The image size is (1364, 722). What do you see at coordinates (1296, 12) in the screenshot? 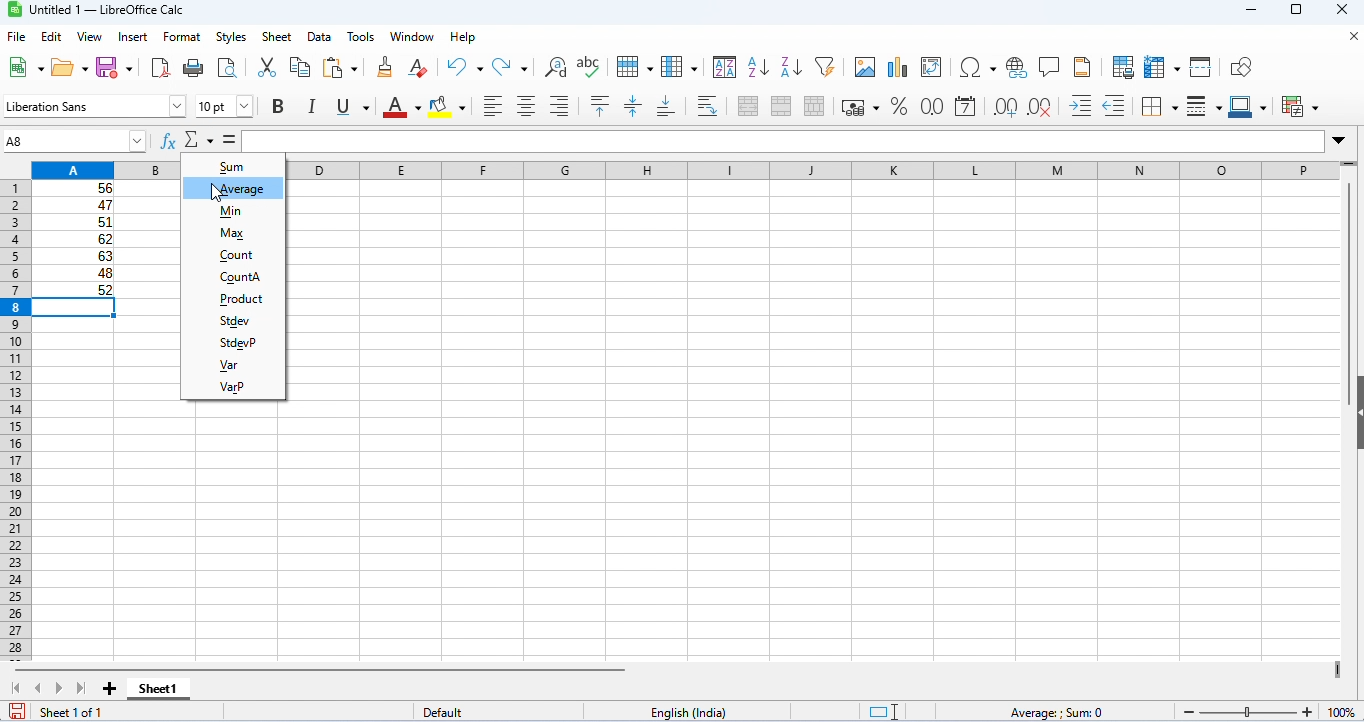
I see `maximize` at bounding box center [1296, 12].